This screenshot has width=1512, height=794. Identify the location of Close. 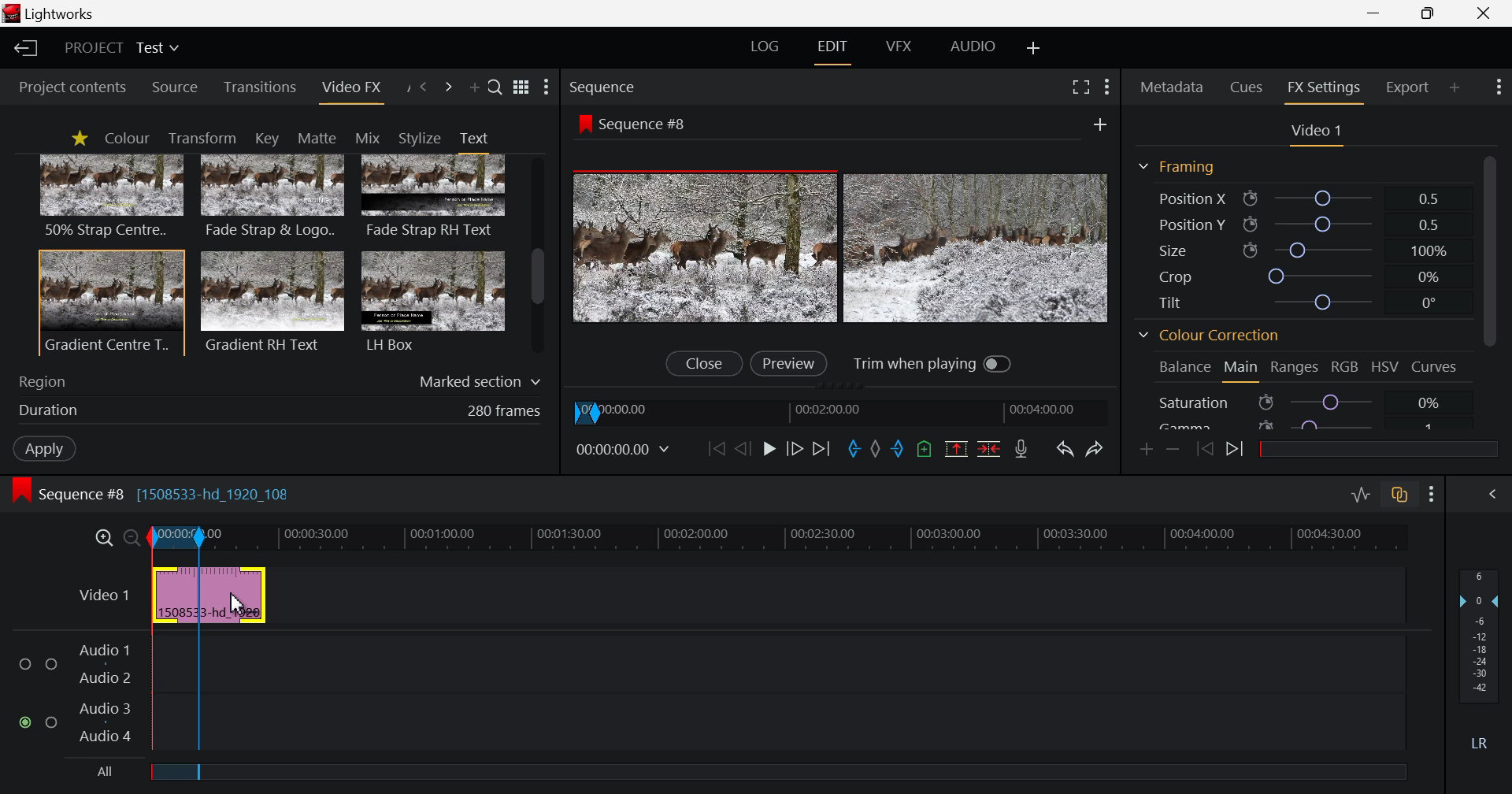
(702, 364).